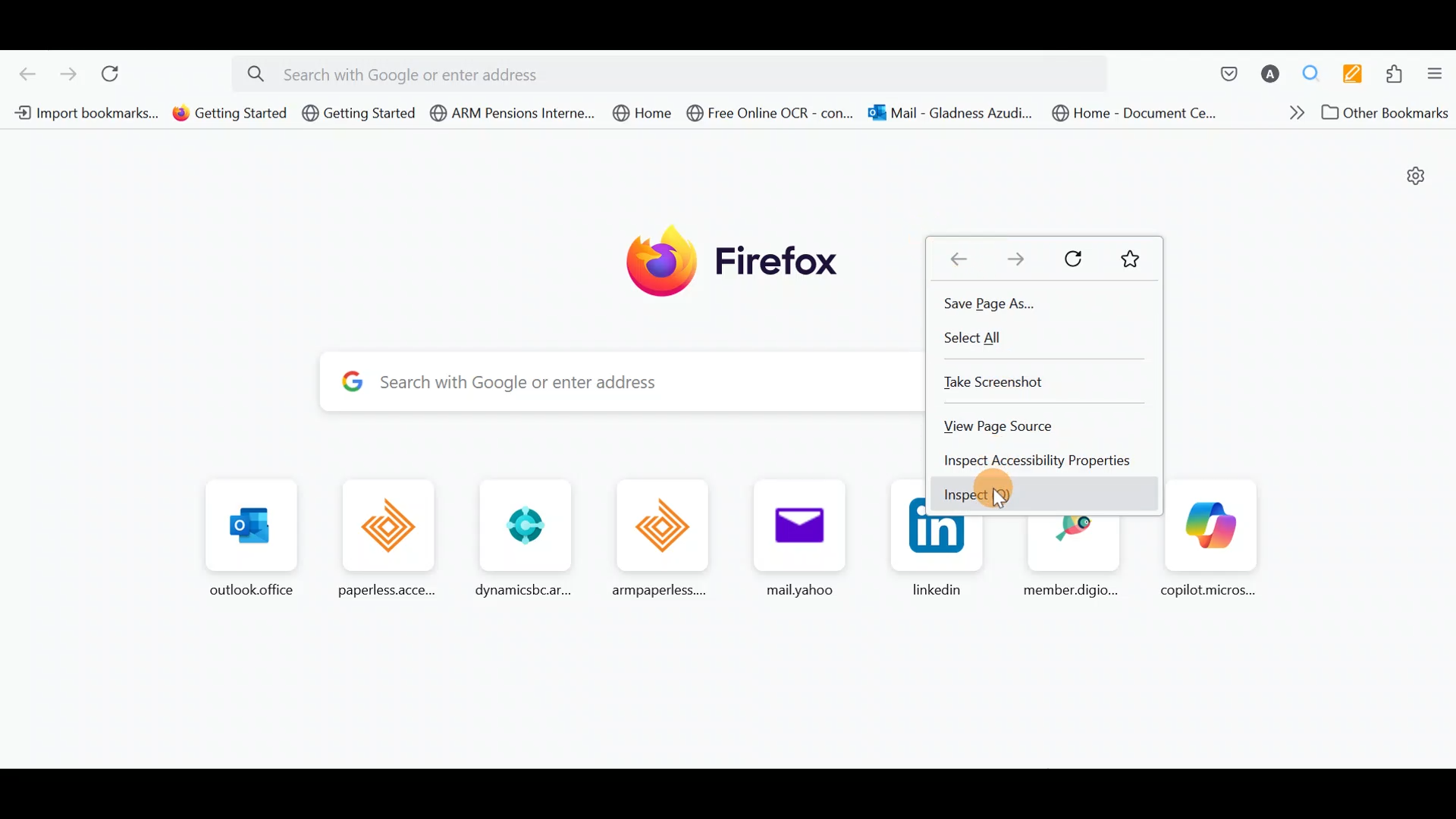 This screenshot has height=819, width=1456. I want to click on Bookmark 2, so click(230, 113).